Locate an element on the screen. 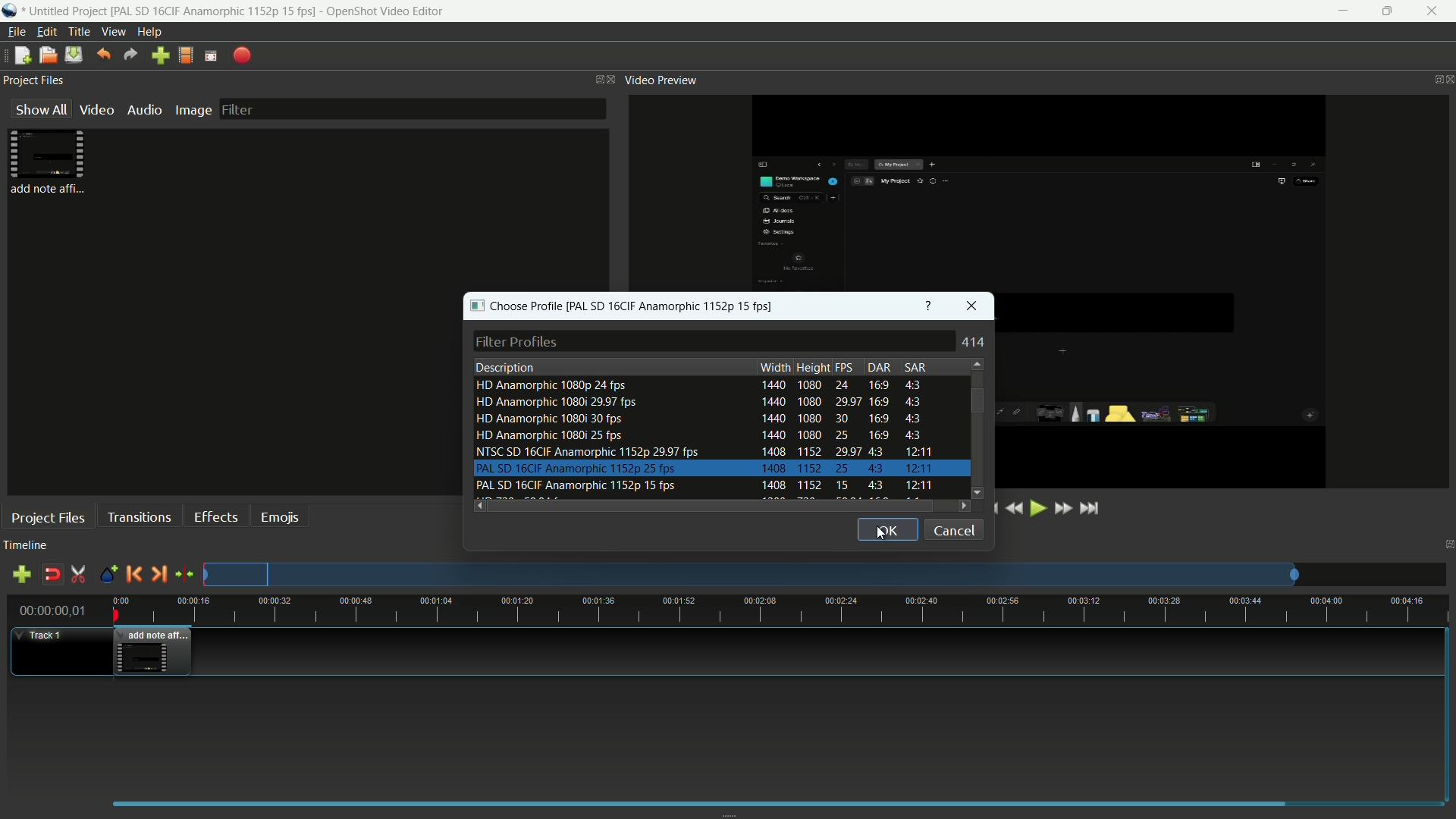 The width and height of the screenshot is (1456, 819). cursor is located at coordinates (880, 535).